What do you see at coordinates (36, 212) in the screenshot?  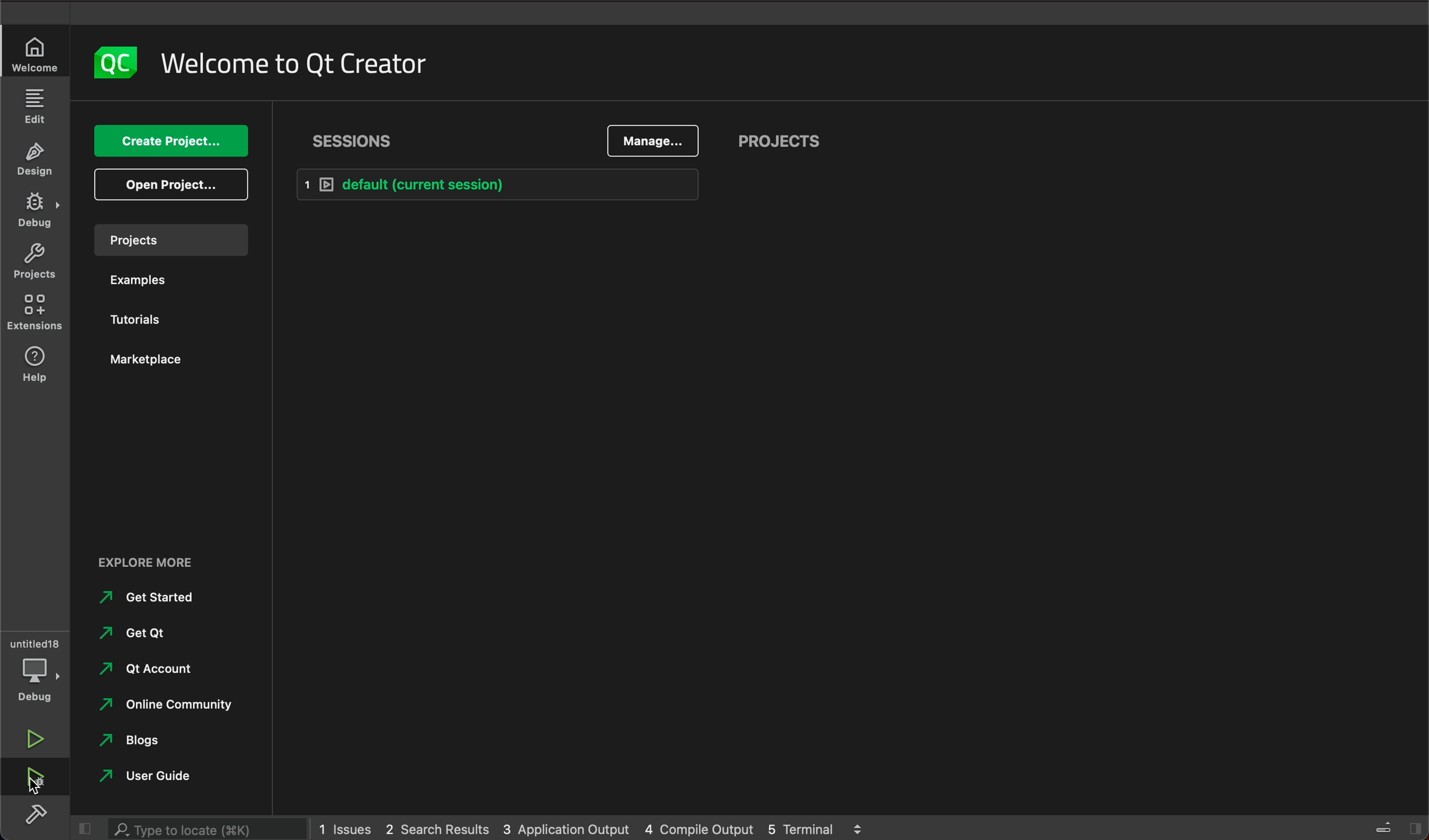 I see `debug` at bounding box center [36, 212].